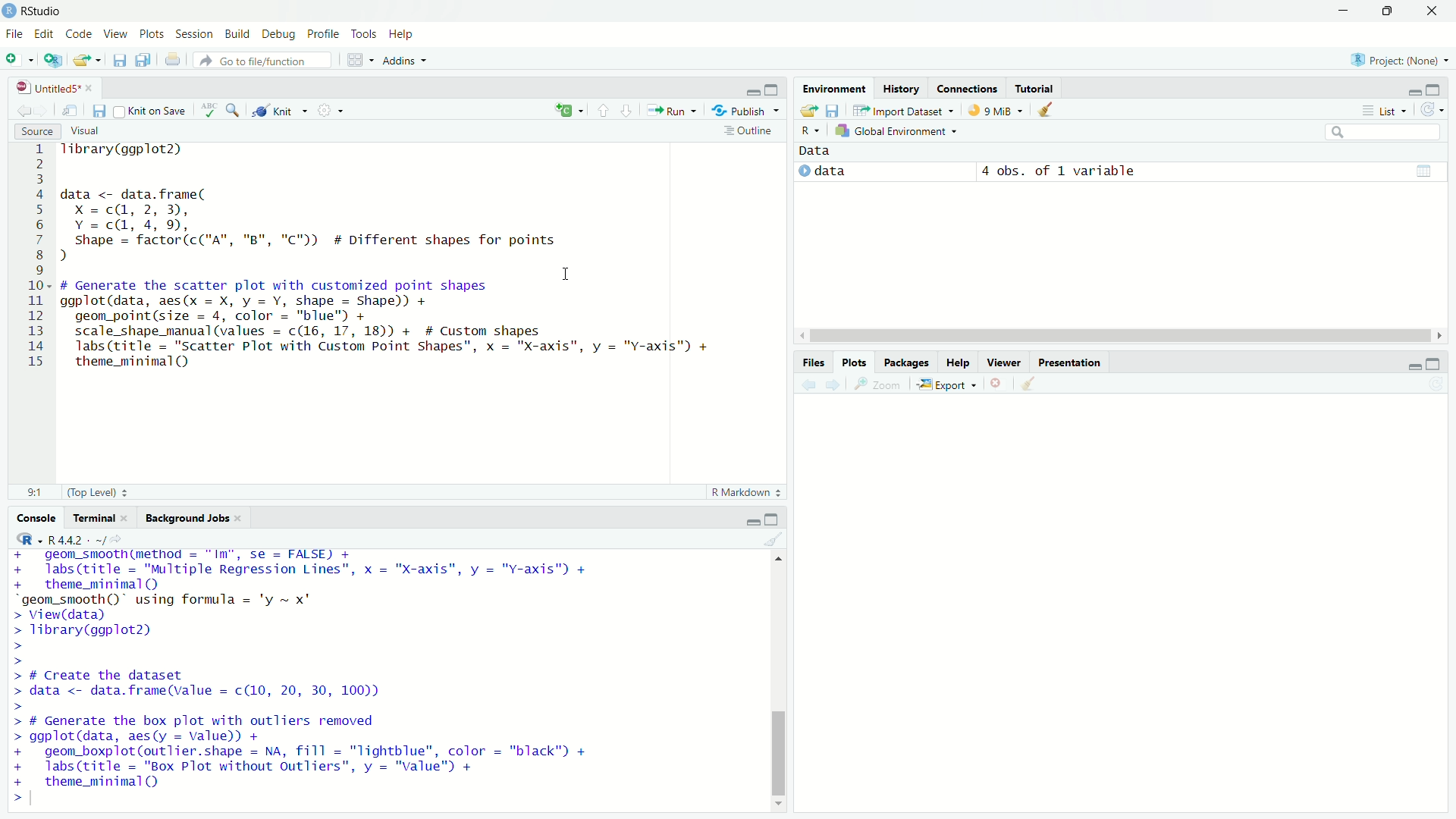 This screenshot has height=819, width=1456. I want to click on minimize, so click(1411, 91).